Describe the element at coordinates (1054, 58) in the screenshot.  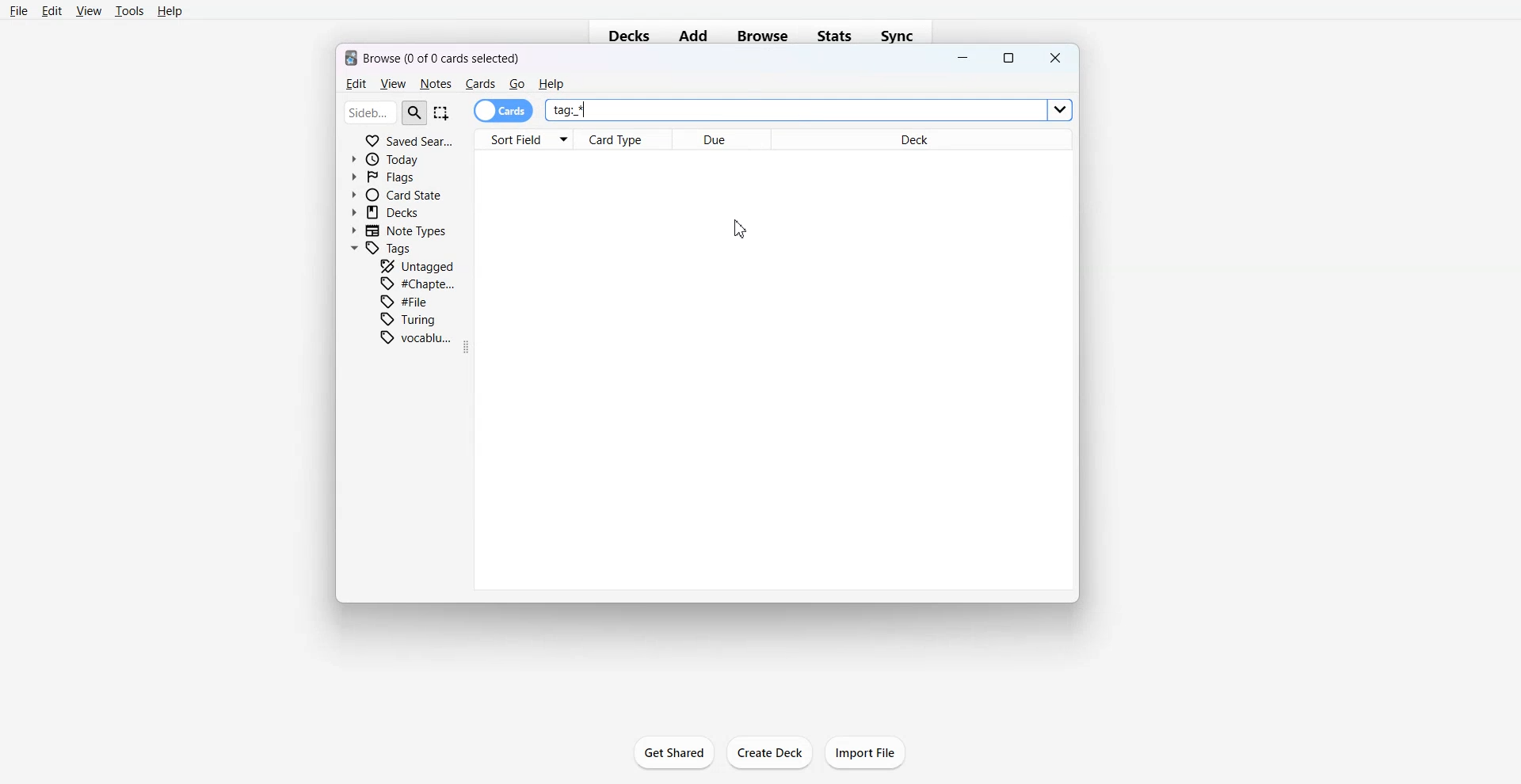
I see `Close` at that location.